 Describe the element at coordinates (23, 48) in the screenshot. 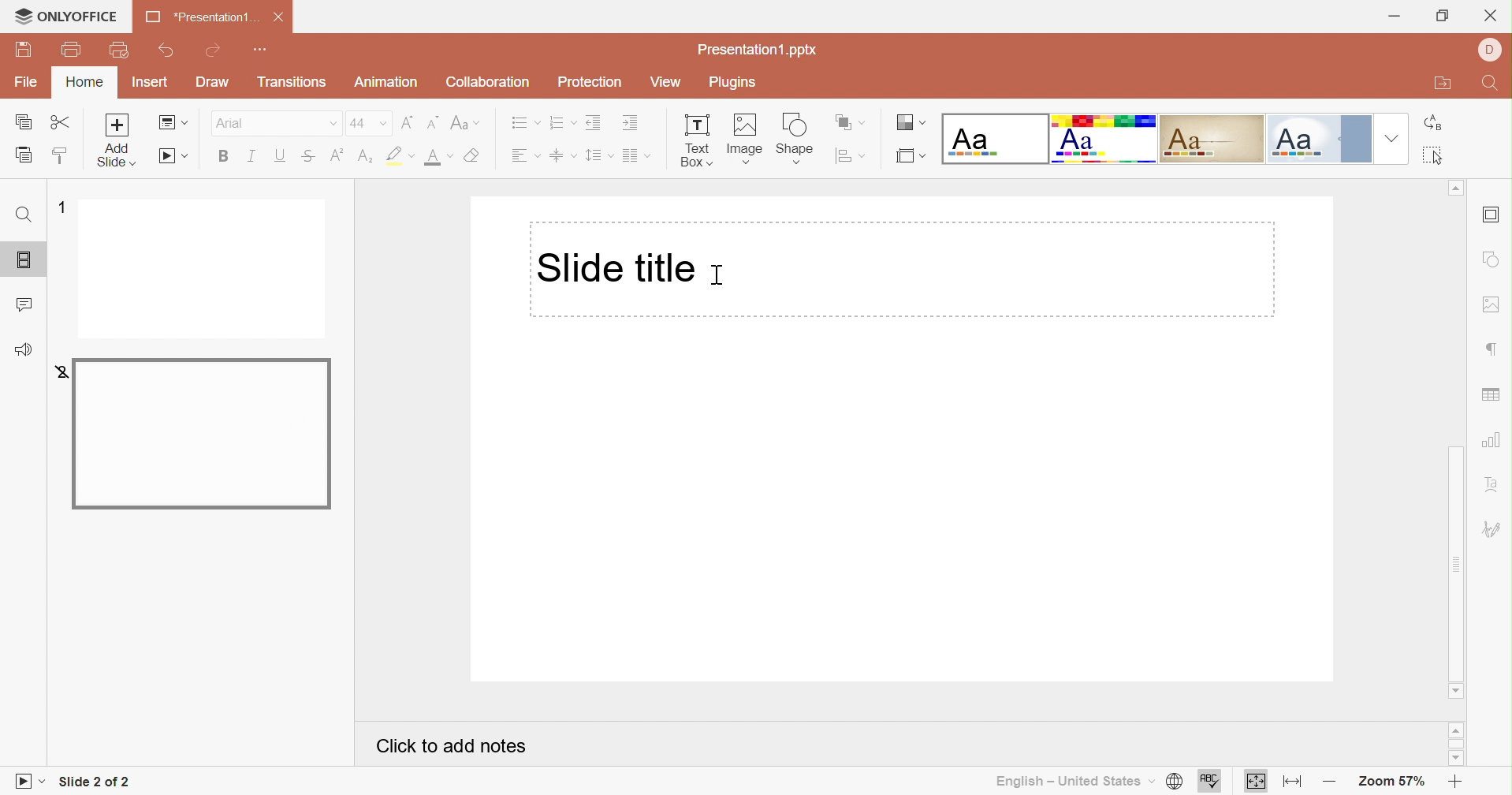

I see `Save` at that location.